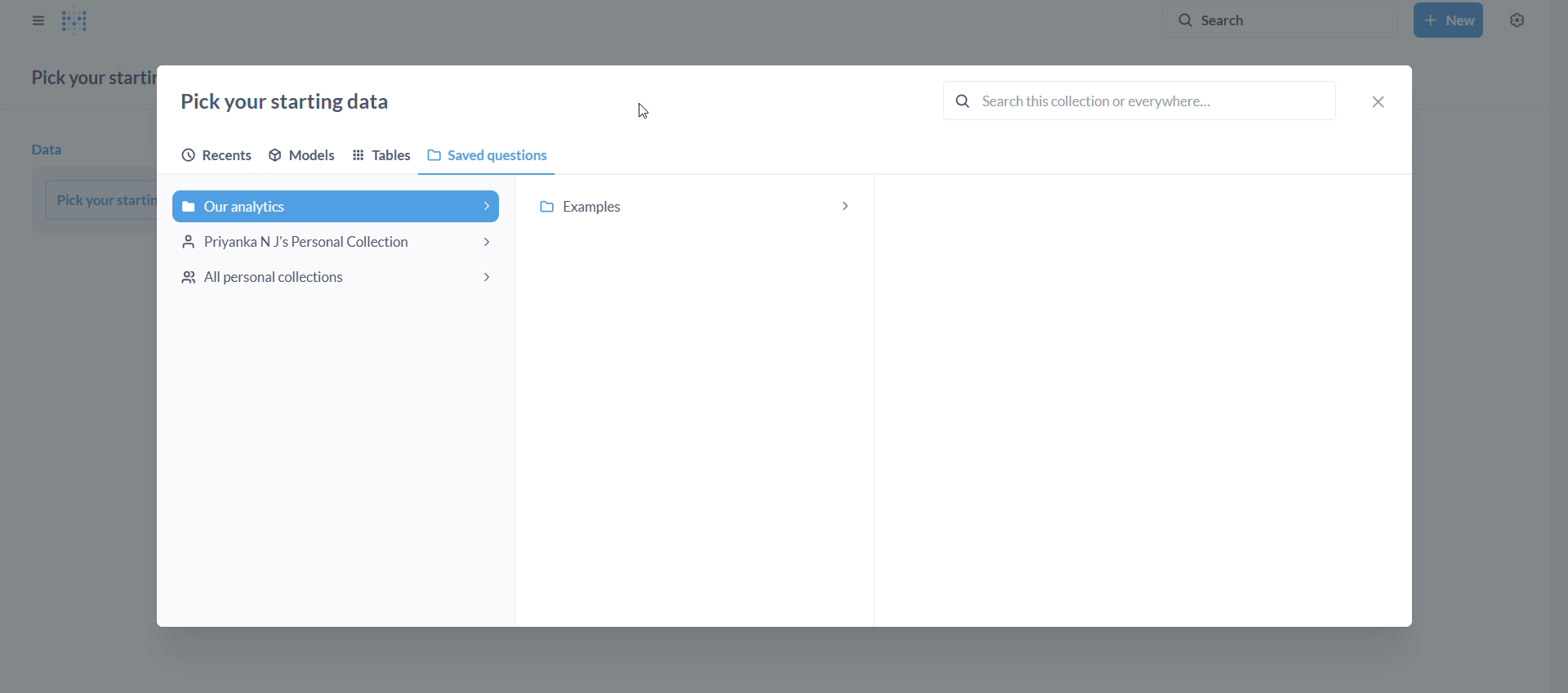 Image resolution: width=1568 pixels, height=693 pixels. I want to click on close sidebar, so click(38, 20).